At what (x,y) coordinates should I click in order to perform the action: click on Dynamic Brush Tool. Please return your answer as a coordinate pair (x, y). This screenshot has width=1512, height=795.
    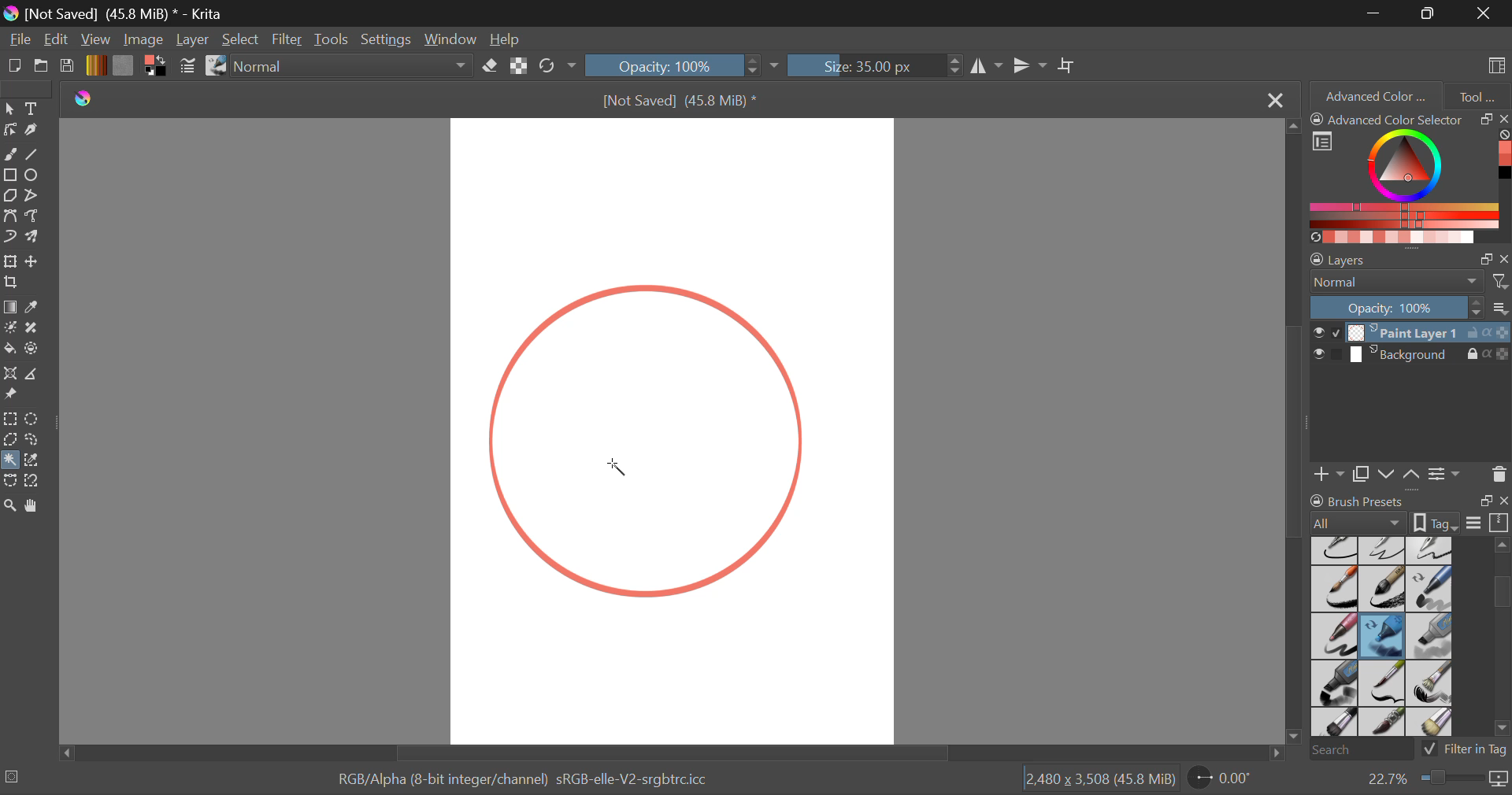
    Looking at the image, I should click on (9, 238).